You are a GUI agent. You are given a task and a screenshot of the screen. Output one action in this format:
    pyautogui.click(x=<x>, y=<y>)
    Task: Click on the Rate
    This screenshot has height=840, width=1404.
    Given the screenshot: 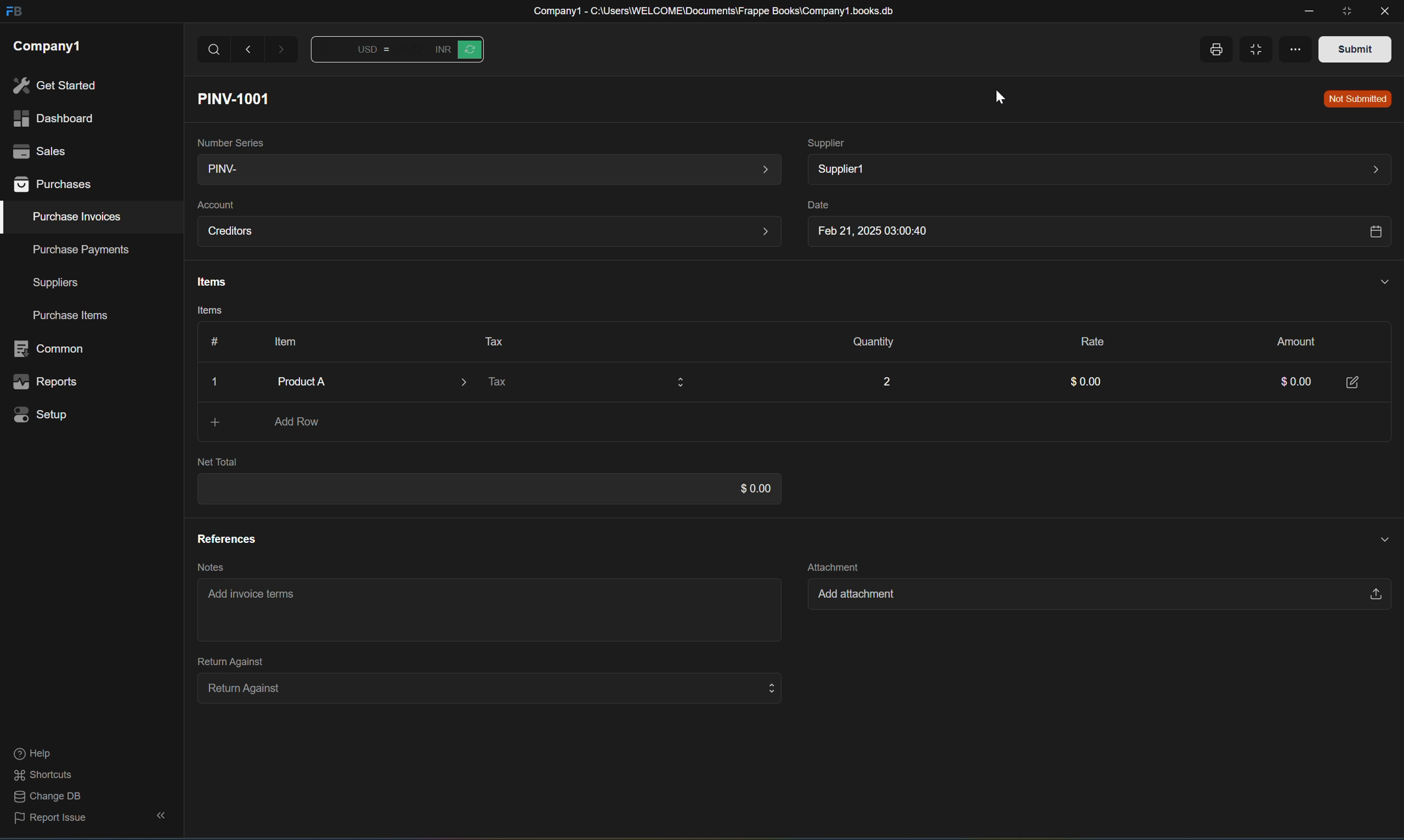 What is the action you would take?
    pyautogui.click(x=1086, y=339)
    